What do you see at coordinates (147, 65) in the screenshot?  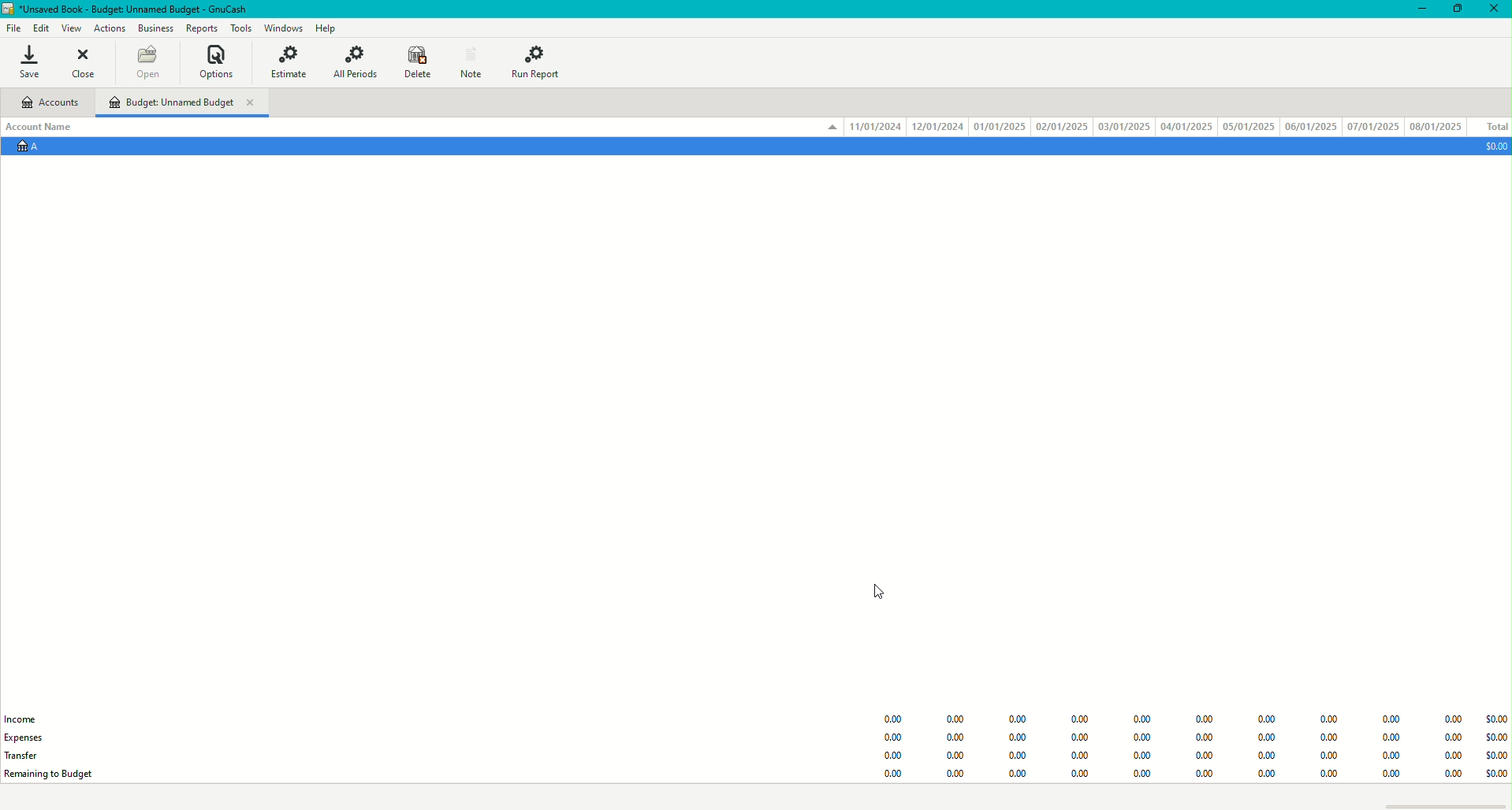 I see `Open` at bounding box center [147, 65].